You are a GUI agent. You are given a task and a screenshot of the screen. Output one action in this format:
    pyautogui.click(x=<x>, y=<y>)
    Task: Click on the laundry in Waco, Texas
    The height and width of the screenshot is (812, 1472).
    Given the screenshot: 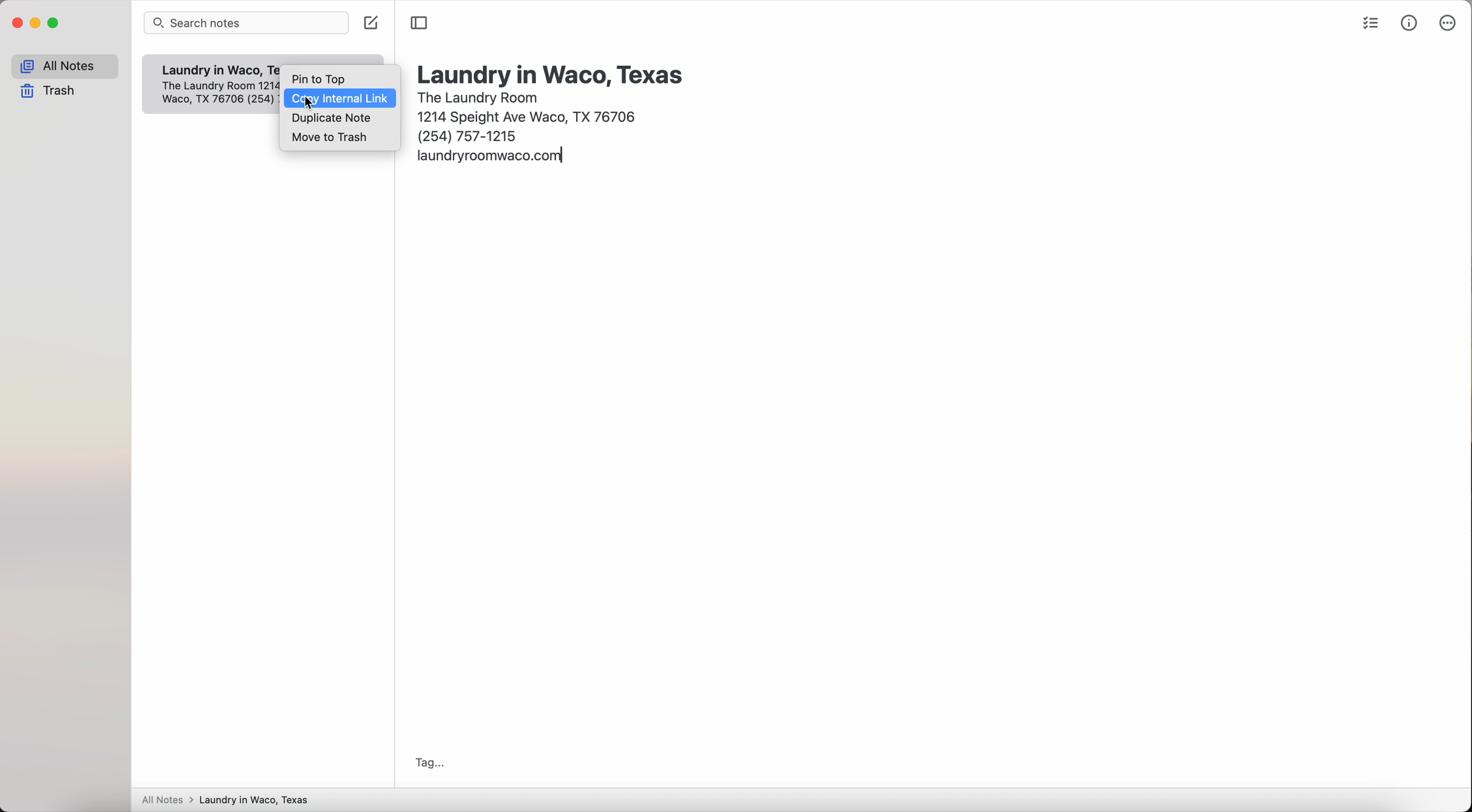 What is the action you would take?
    pyautogui.click(x=552, y=74)
    